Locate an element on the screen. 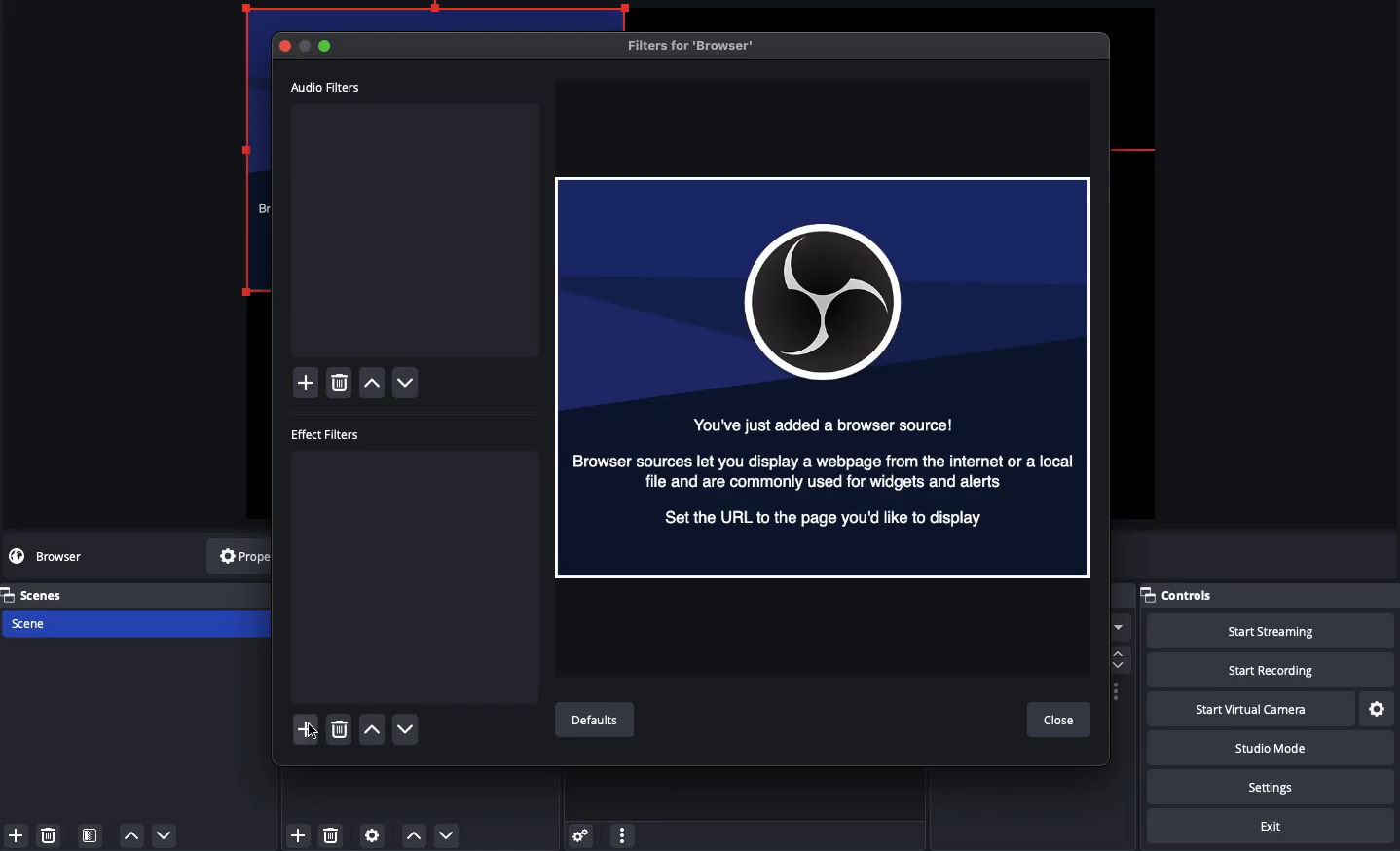  down is located at coordinates (165, 833).